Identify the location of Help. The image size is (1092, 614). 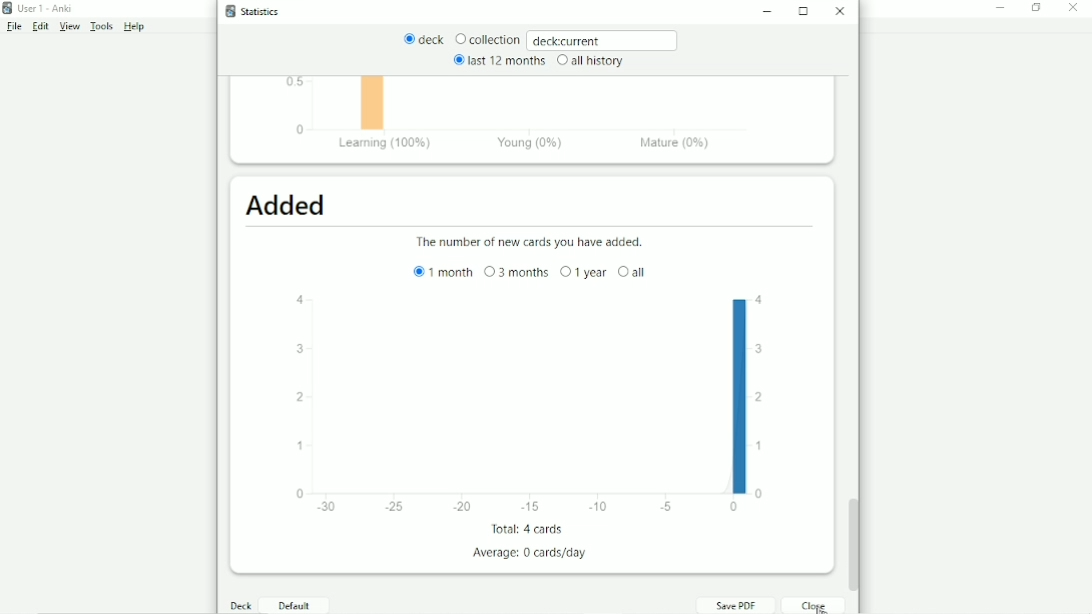
(135, 27).